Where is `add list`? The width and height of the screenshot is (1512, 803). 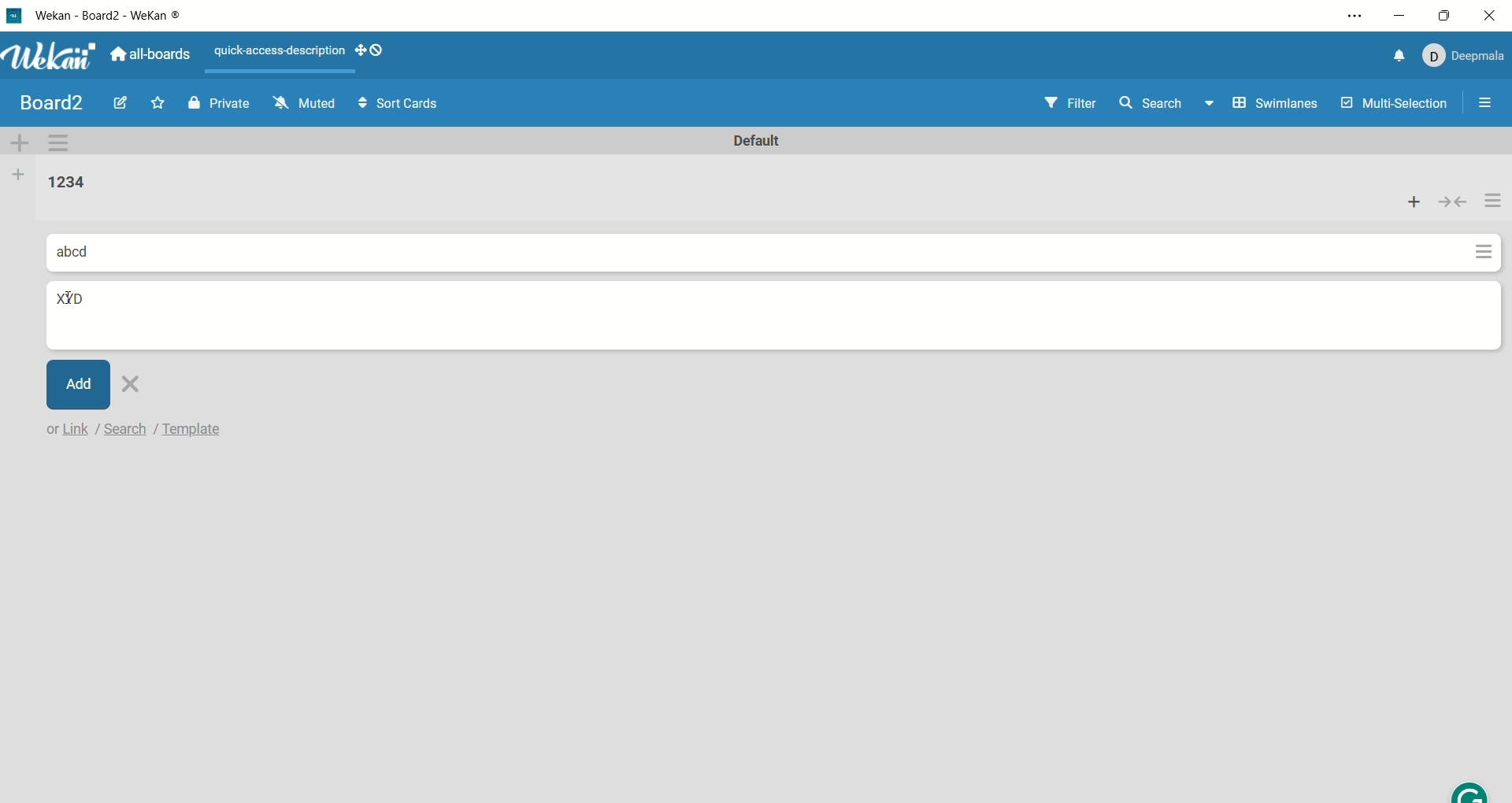 add list is located at coordinates (17, 174).